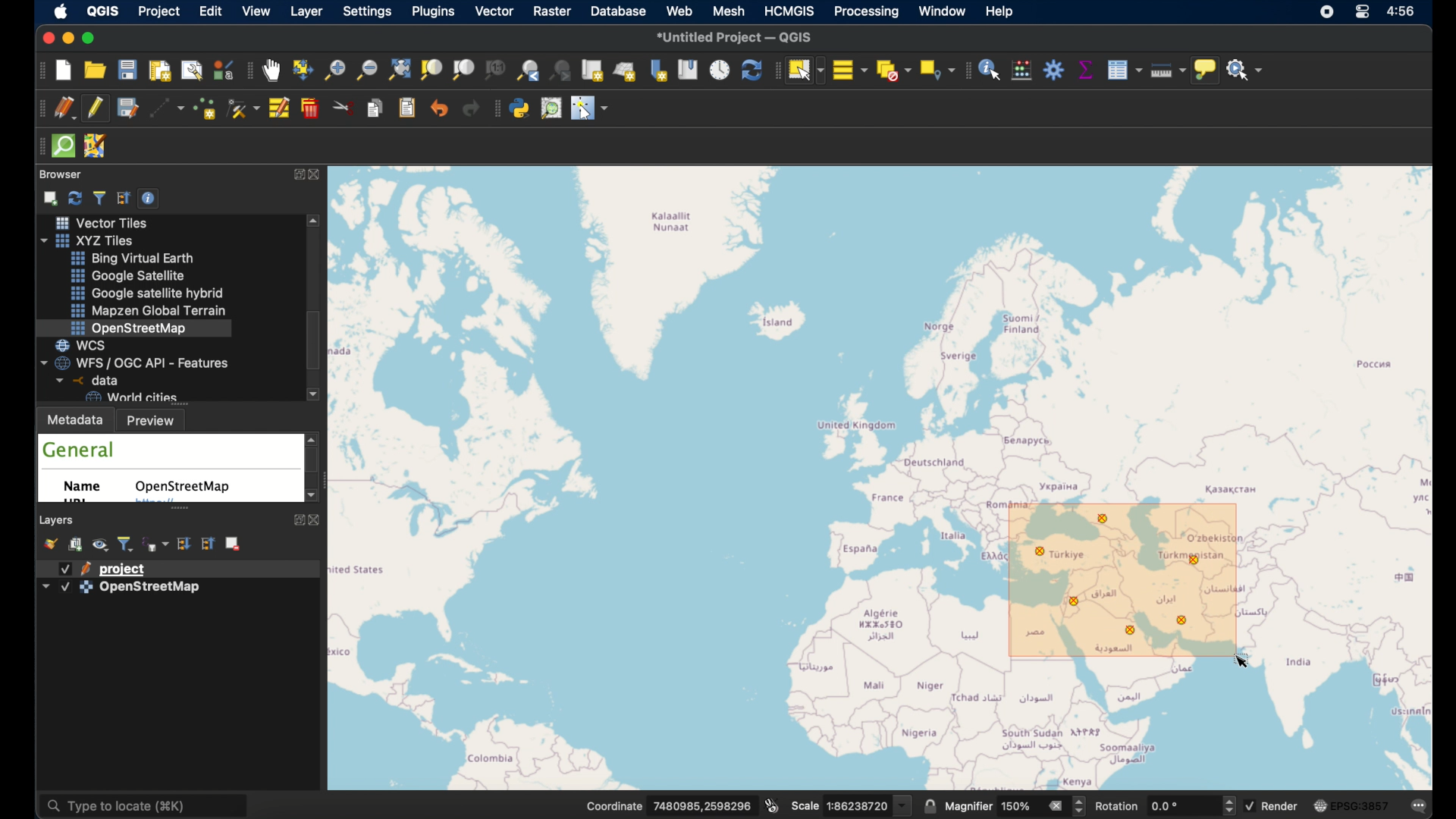 This screenshot has height=819, width=1456. I want to click on maximize, so click(93, 38).